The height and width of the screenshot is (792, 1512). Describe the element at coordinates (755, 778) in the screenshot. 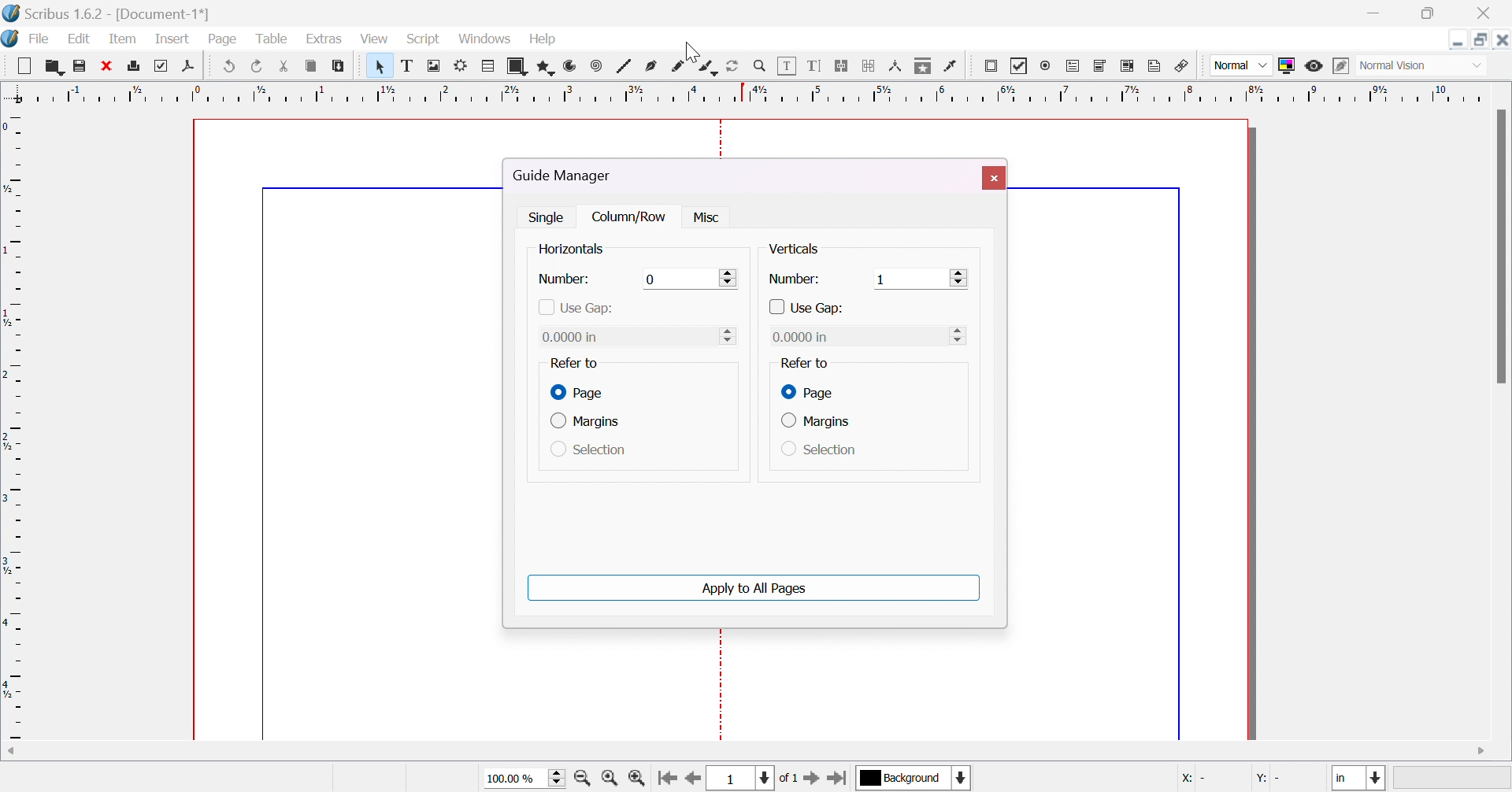

I see `select current page` at that location.